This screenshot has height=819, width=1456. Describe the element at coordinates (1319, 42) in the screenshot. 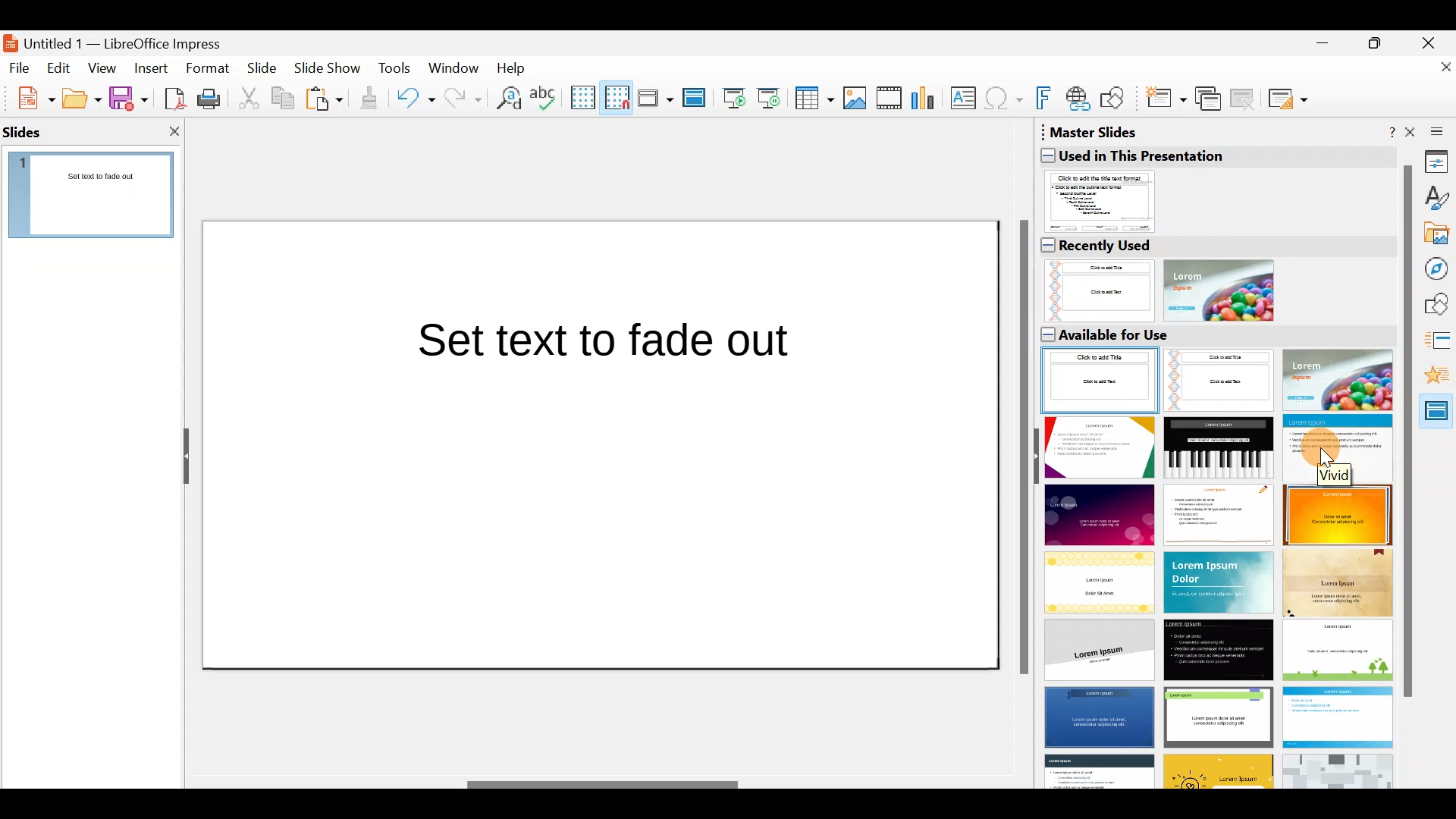

I see `Minimise` at that location.